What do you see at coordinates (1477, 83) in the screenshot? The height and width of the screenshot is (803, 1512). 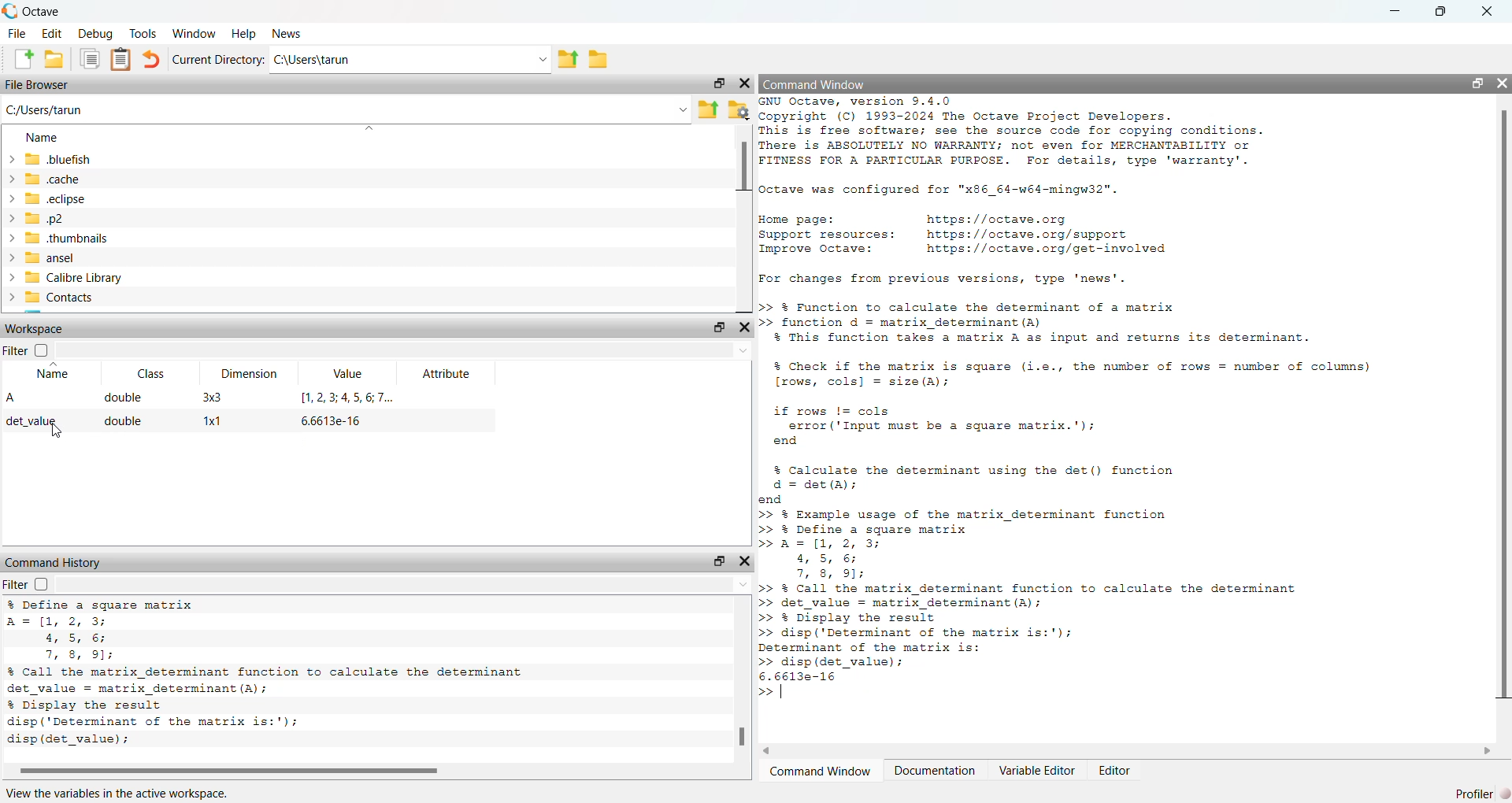 I see `maximize` at bounding box center [1477, 83].